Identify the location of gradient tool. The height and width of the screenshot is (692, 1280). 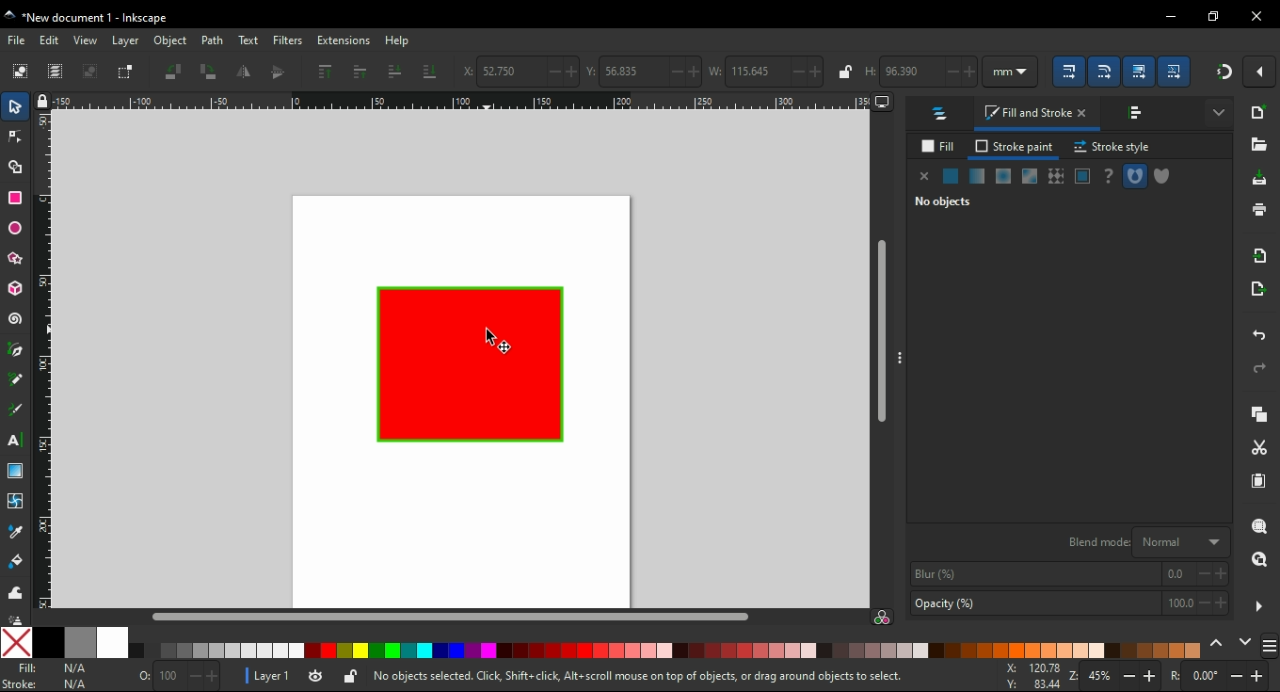
(15, 471).